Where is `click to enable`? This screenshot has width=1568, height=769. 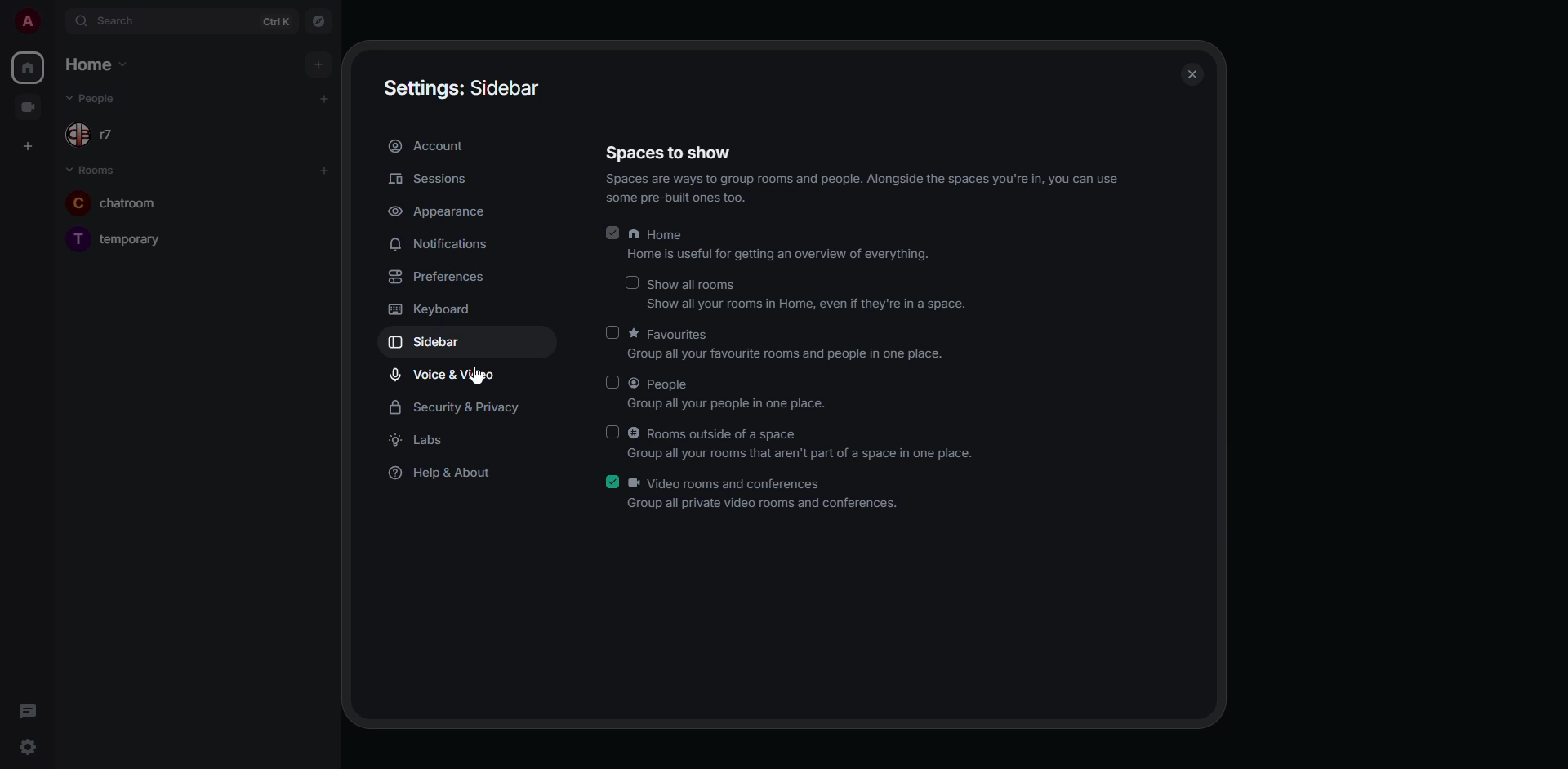 click to enable is located at coordinates (610, 382).